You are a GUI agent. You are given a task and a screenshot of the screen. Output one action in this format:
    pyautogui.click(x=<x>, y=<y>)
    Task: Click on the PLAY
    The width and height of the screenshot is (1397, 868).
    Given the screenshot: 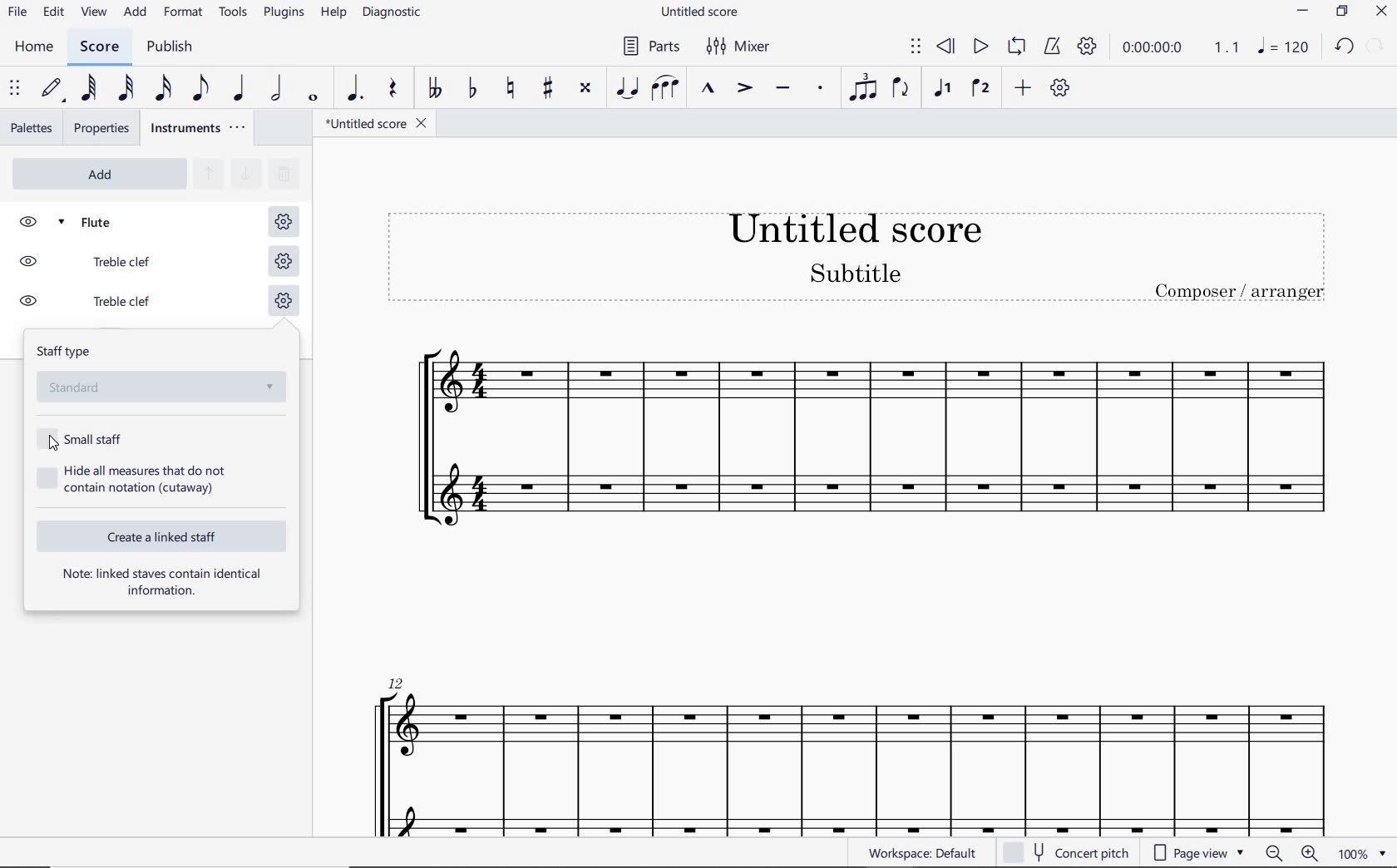 What is the action you would take?
    pyautogui.click(x=980, y=47)
    